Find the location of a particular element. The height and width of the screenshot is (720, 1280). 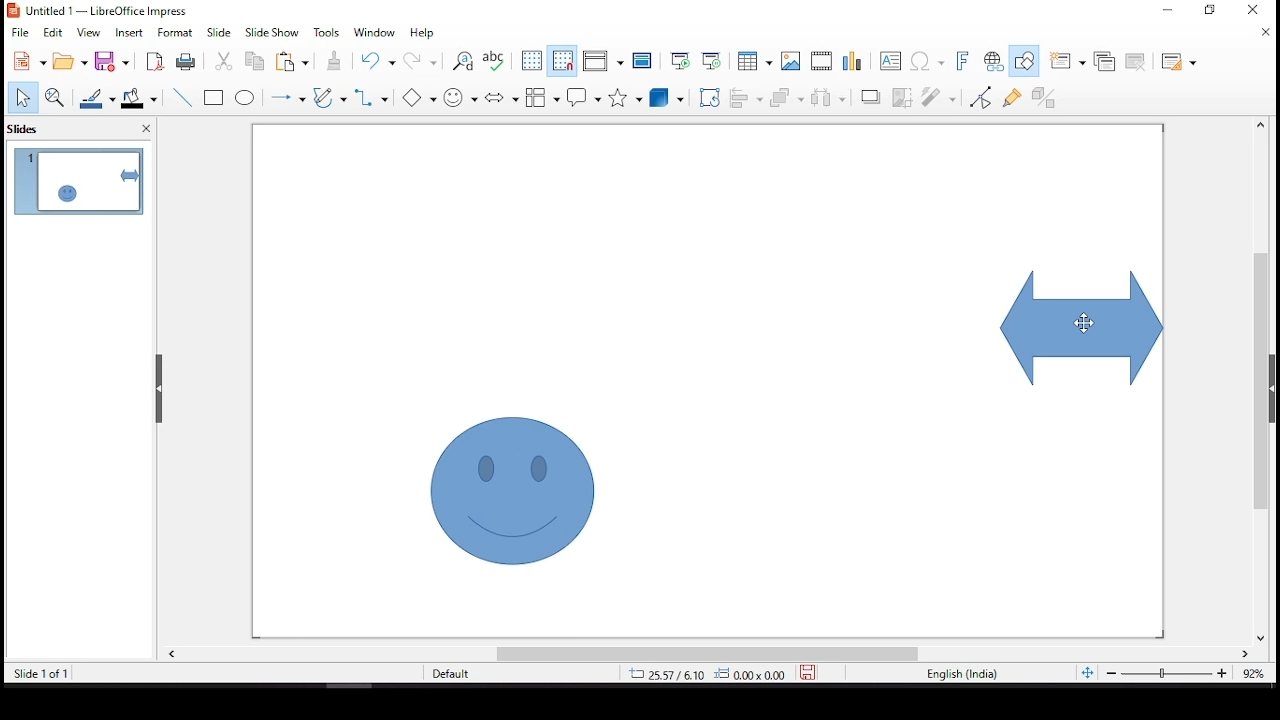

find and replace is located at coordinates (463, 62).